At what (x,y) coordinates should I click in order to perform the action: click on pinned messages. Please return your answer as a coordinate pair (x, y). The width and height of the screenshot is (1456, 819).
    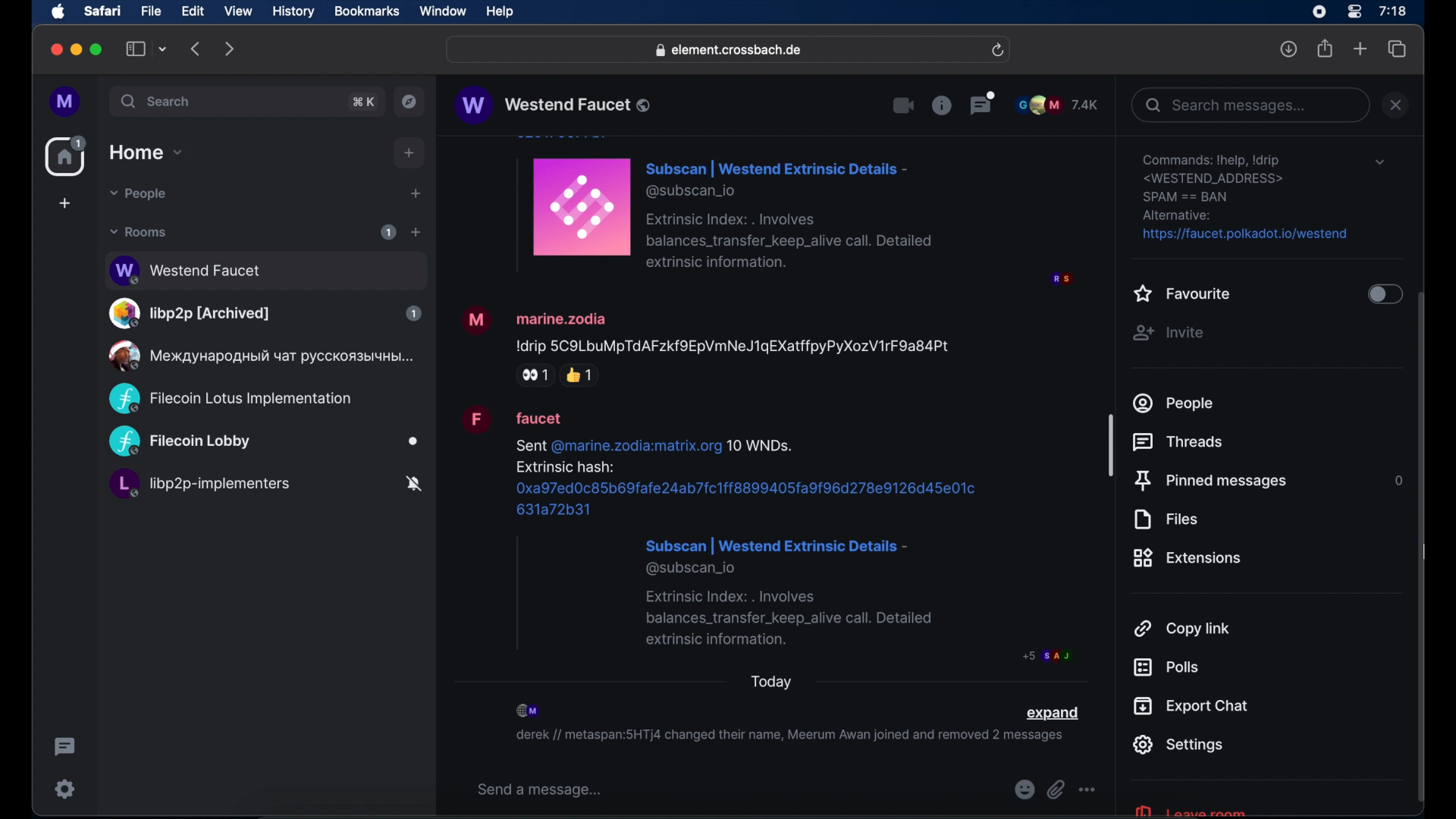
    Looking at the image, I should click on (1210, 482).